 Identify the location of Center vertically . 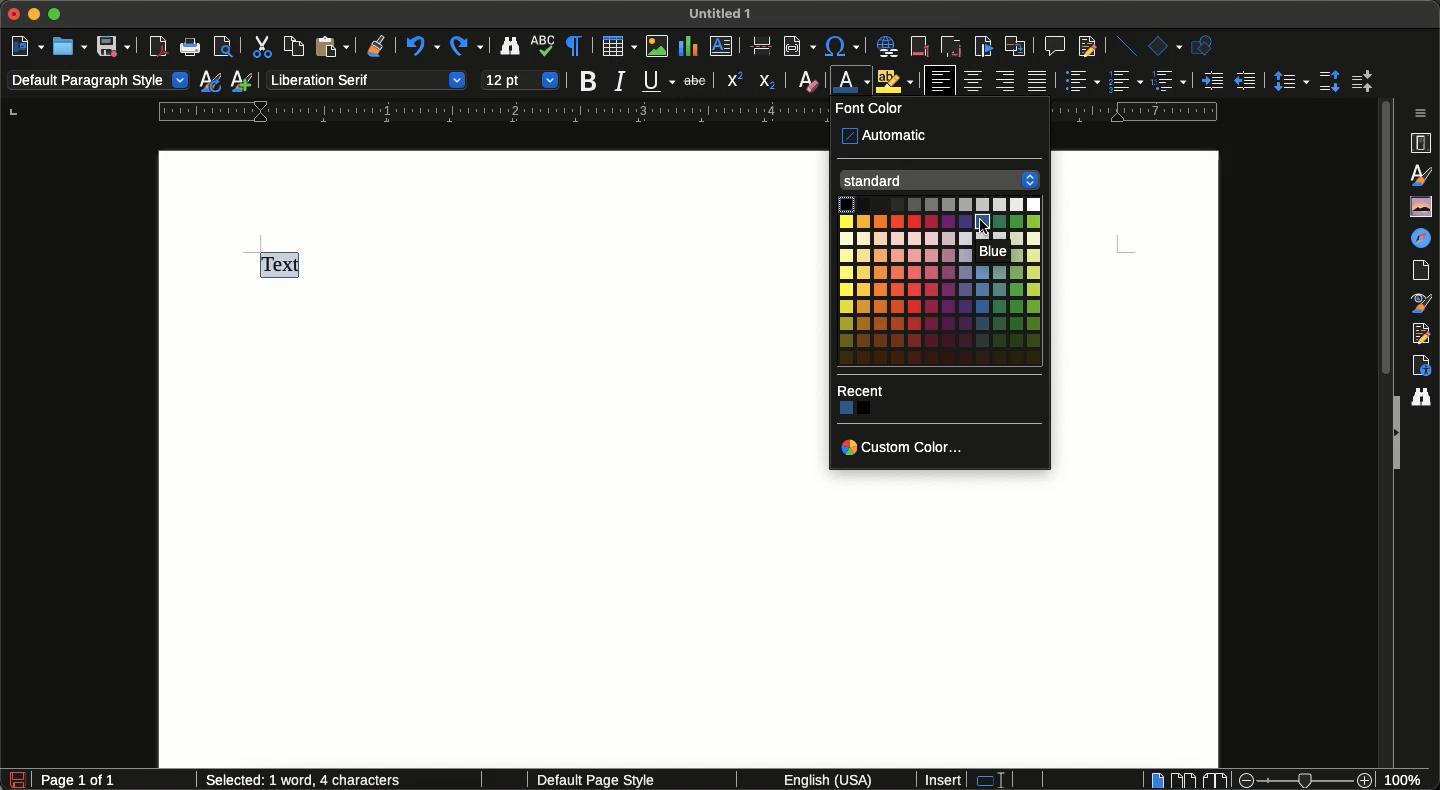
(974, 81).